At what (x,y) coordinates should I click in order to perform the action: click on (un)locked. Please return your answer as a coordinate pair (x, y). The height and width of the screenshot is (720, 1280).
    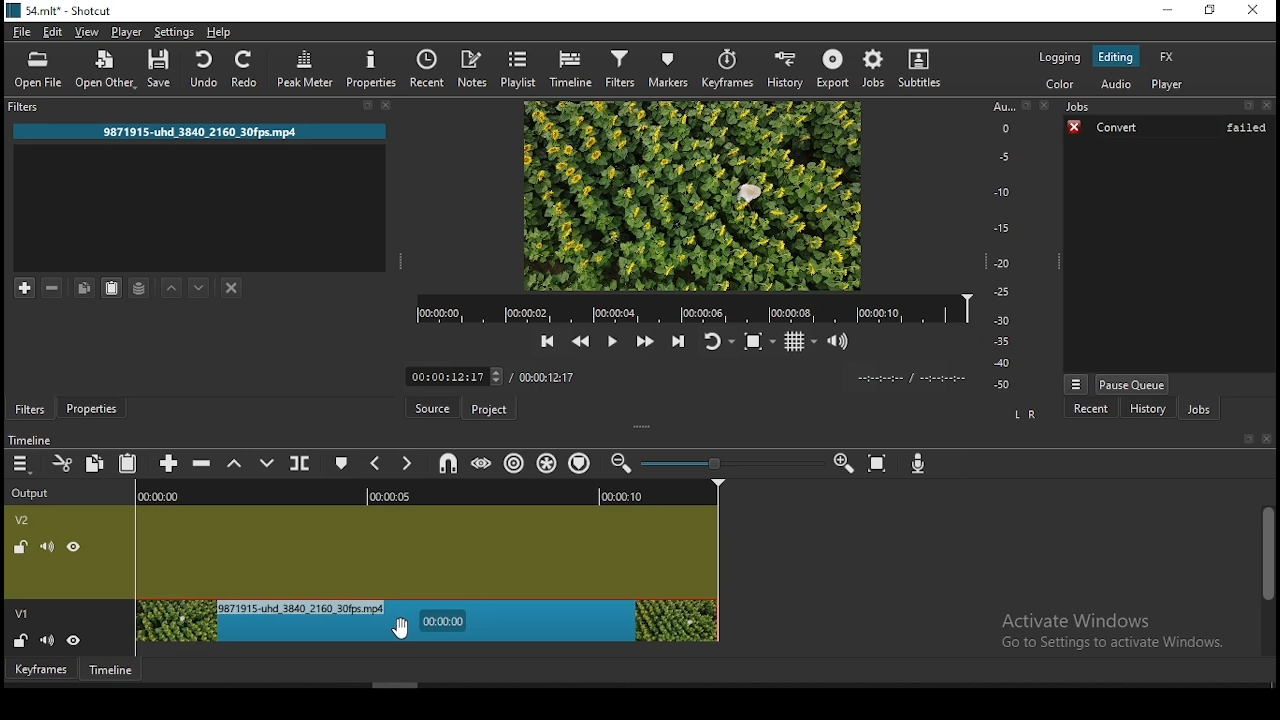
    Looking at the image, I should click on (23, 548).